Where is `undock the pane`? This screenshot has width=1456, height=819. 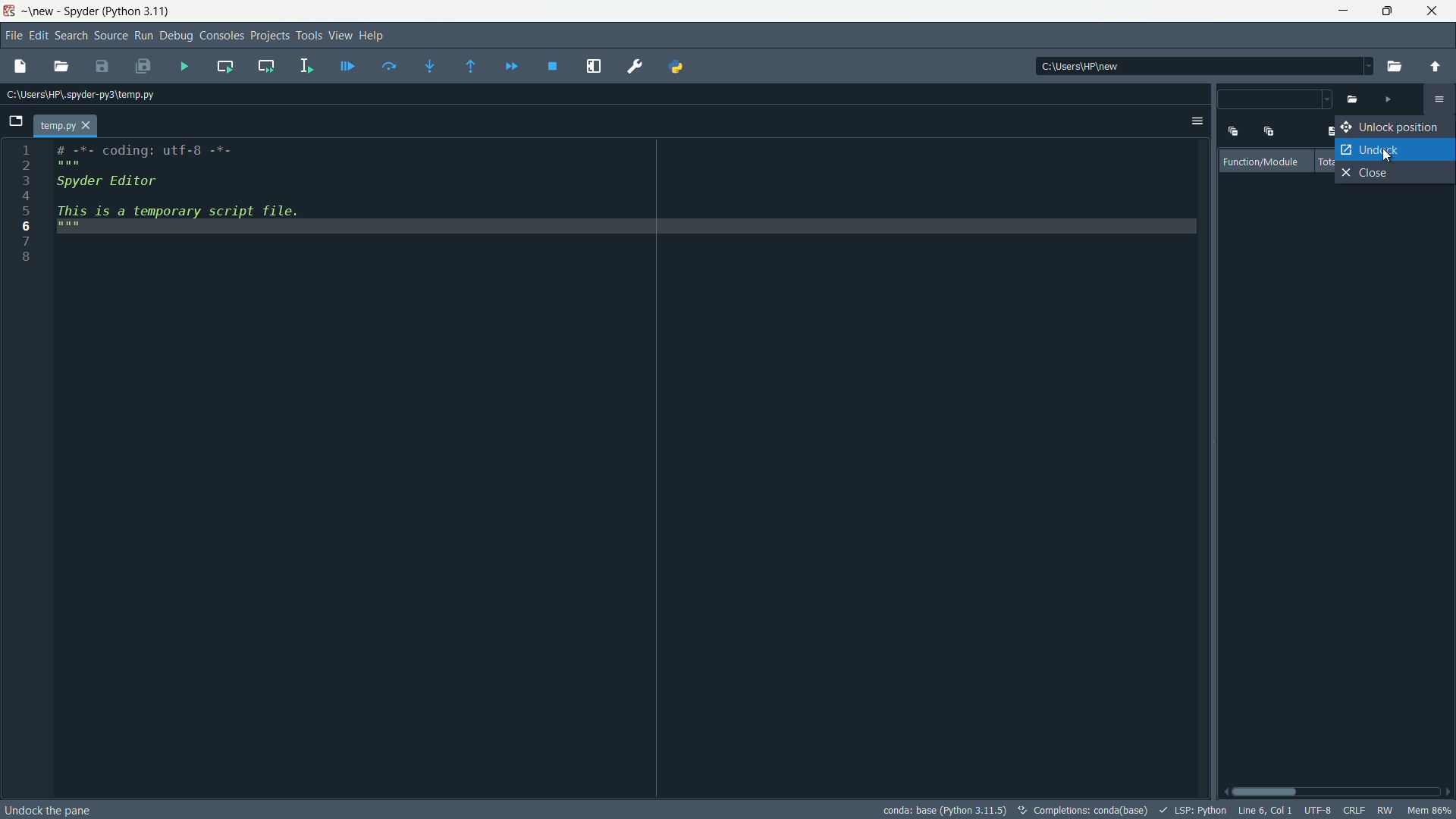 undock the pane is located at coordinates (52, 807).